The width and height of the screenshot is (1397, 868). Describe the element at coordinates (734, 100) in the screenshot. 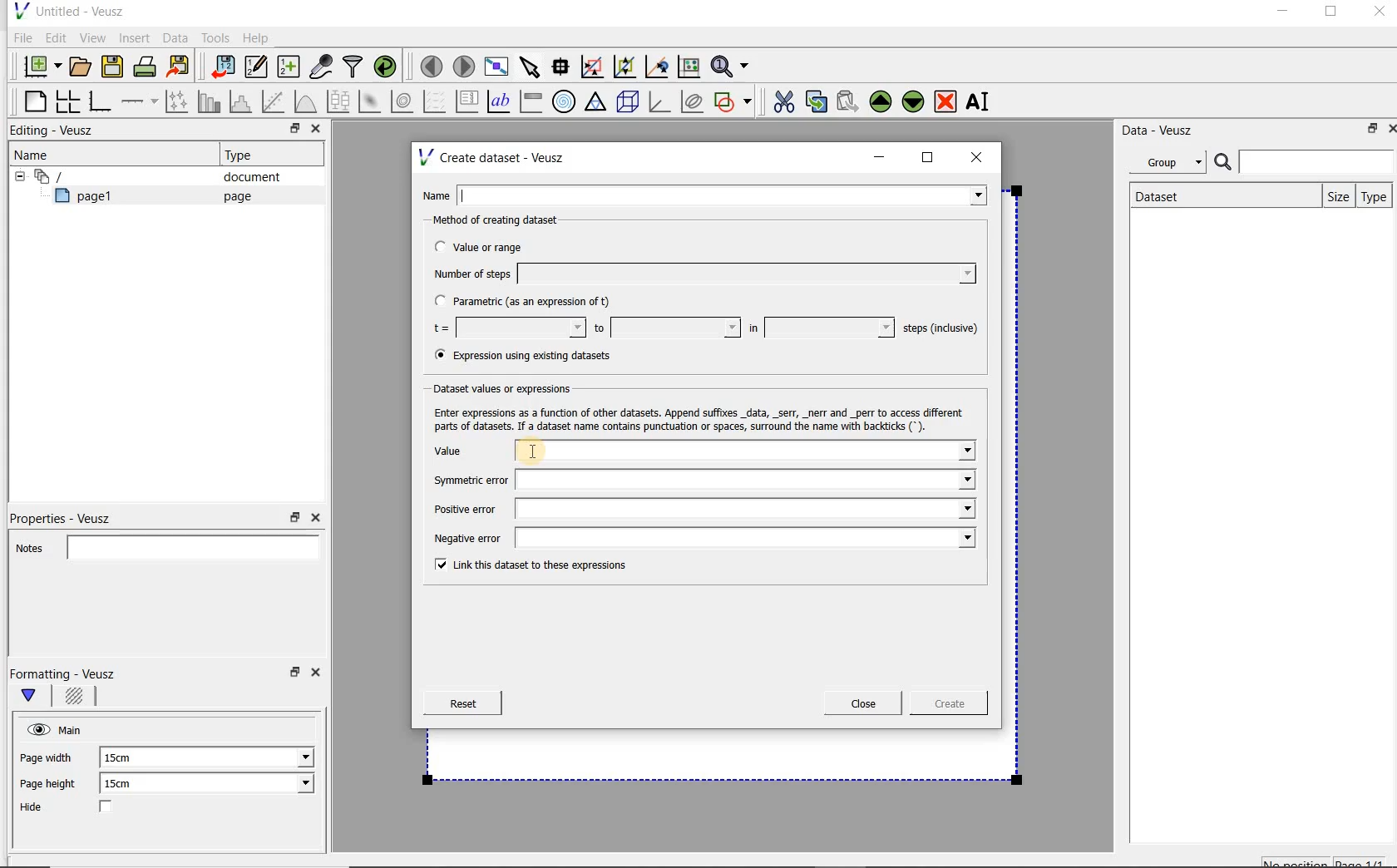

I see `add a shape to the plot` at that location.